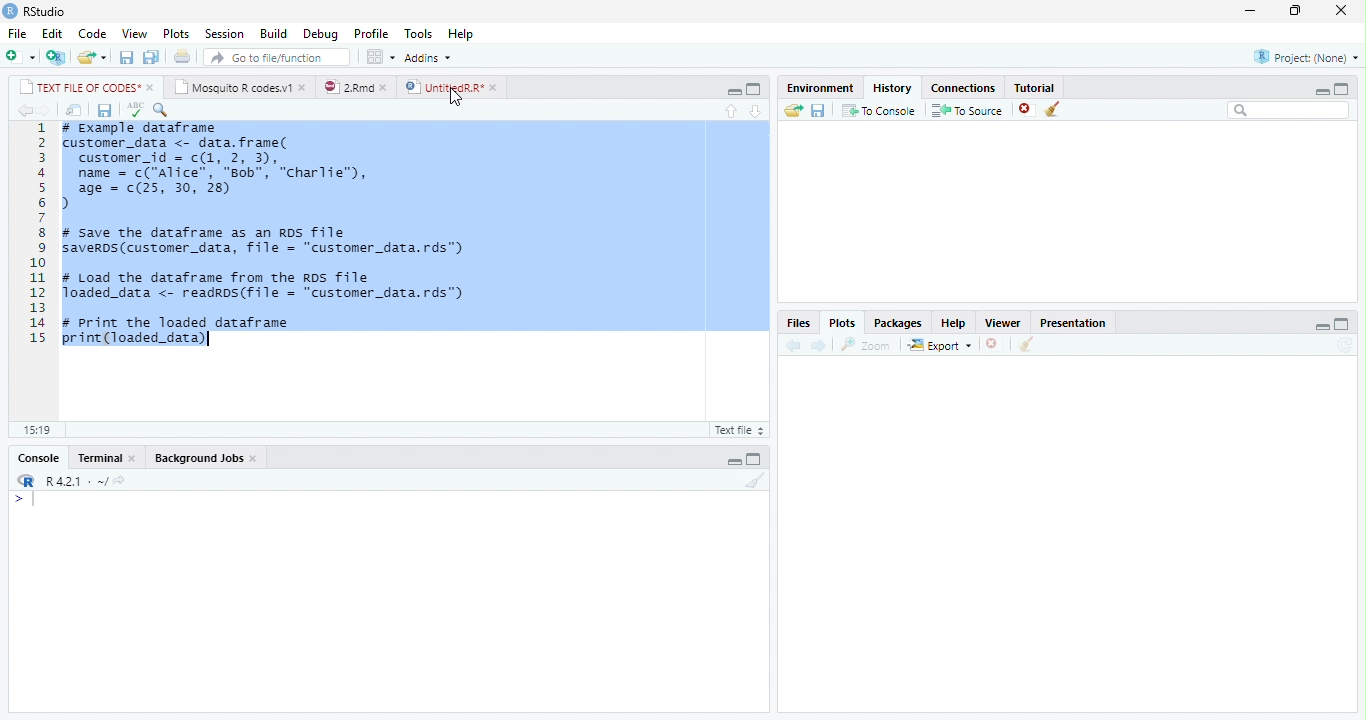 This screenshot has height=720, width=1366. What do you see at coordinates (1053, 109) in the screenshot?
I see `clear` at bounding box center [1053, 109].